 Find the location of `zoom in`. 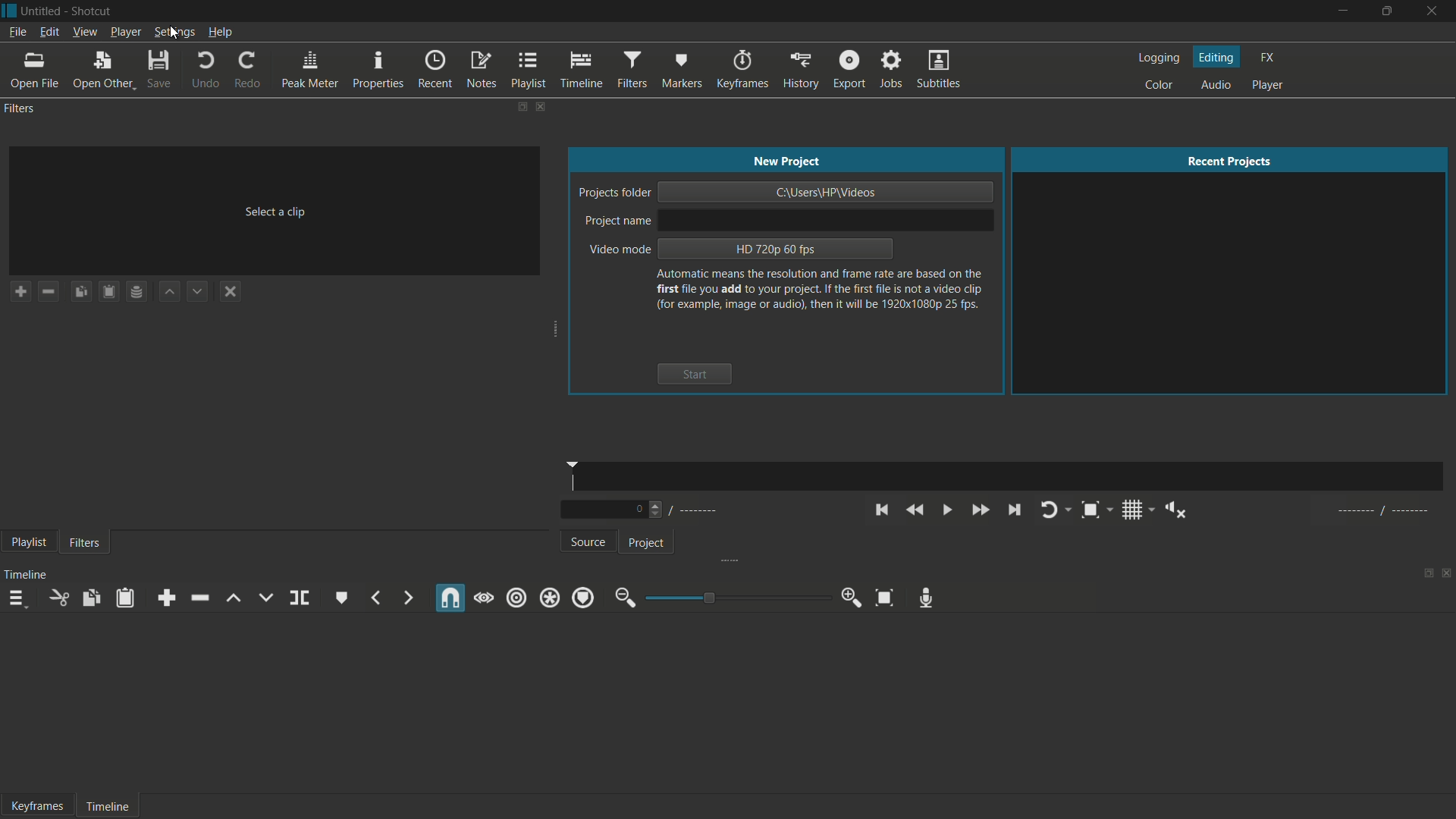

zoom in is located at coordinates (854, 598).